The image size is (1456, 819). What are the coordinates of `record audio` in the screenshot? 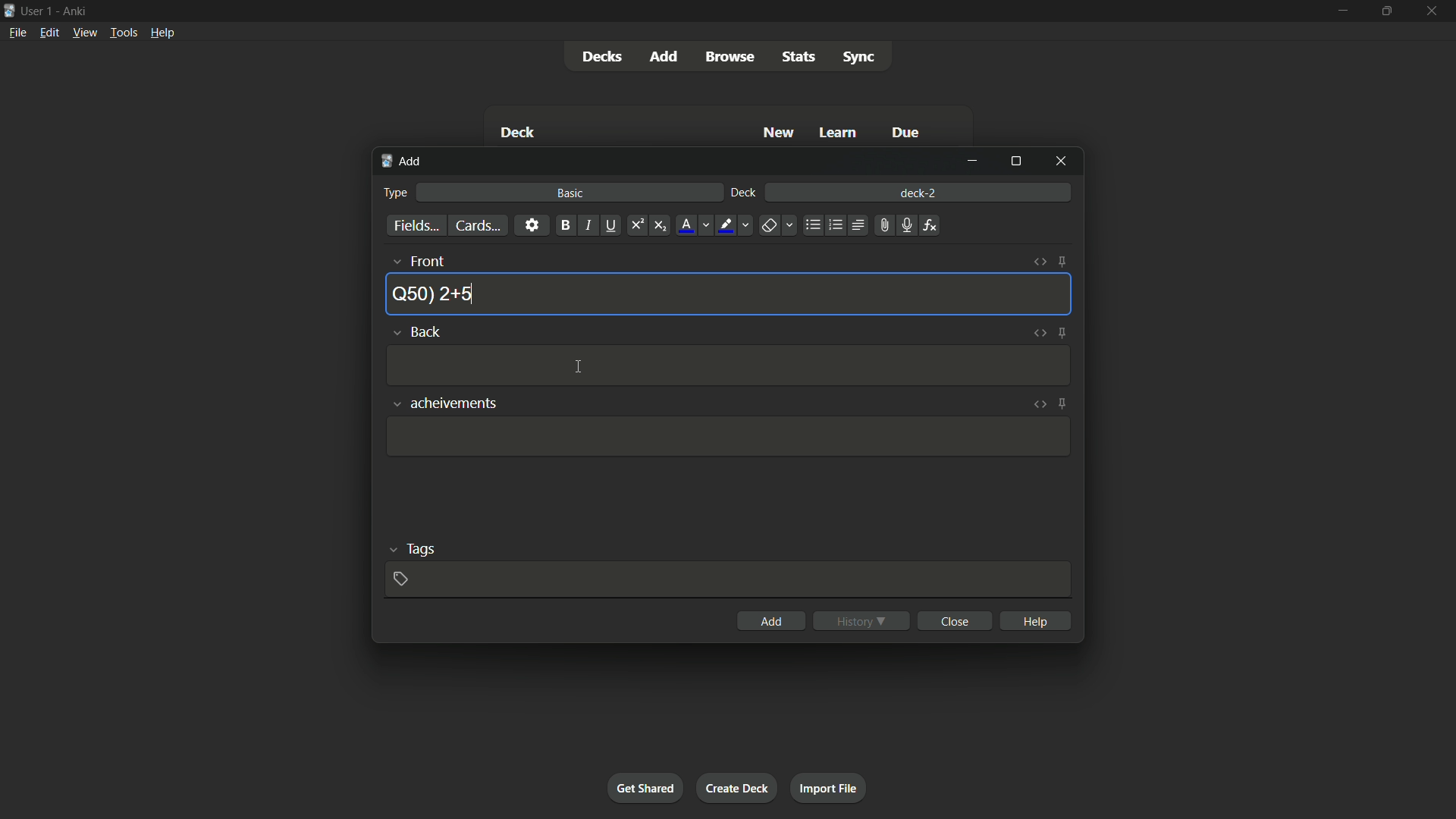 It's located at (906, 225).